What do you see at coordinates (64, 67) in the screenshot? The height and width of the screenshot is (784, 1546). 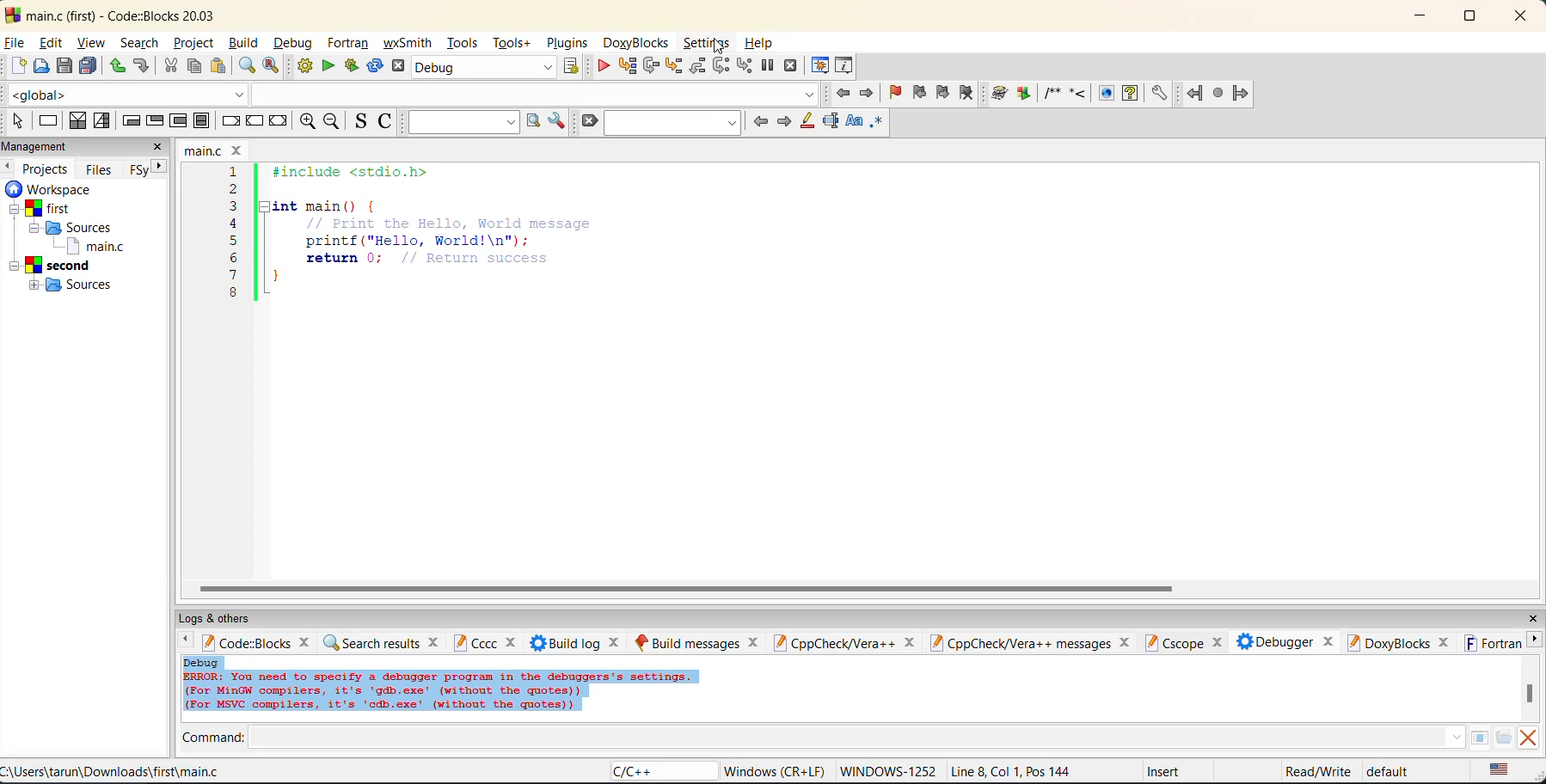 I see `save` at bounding box center [64, 67].